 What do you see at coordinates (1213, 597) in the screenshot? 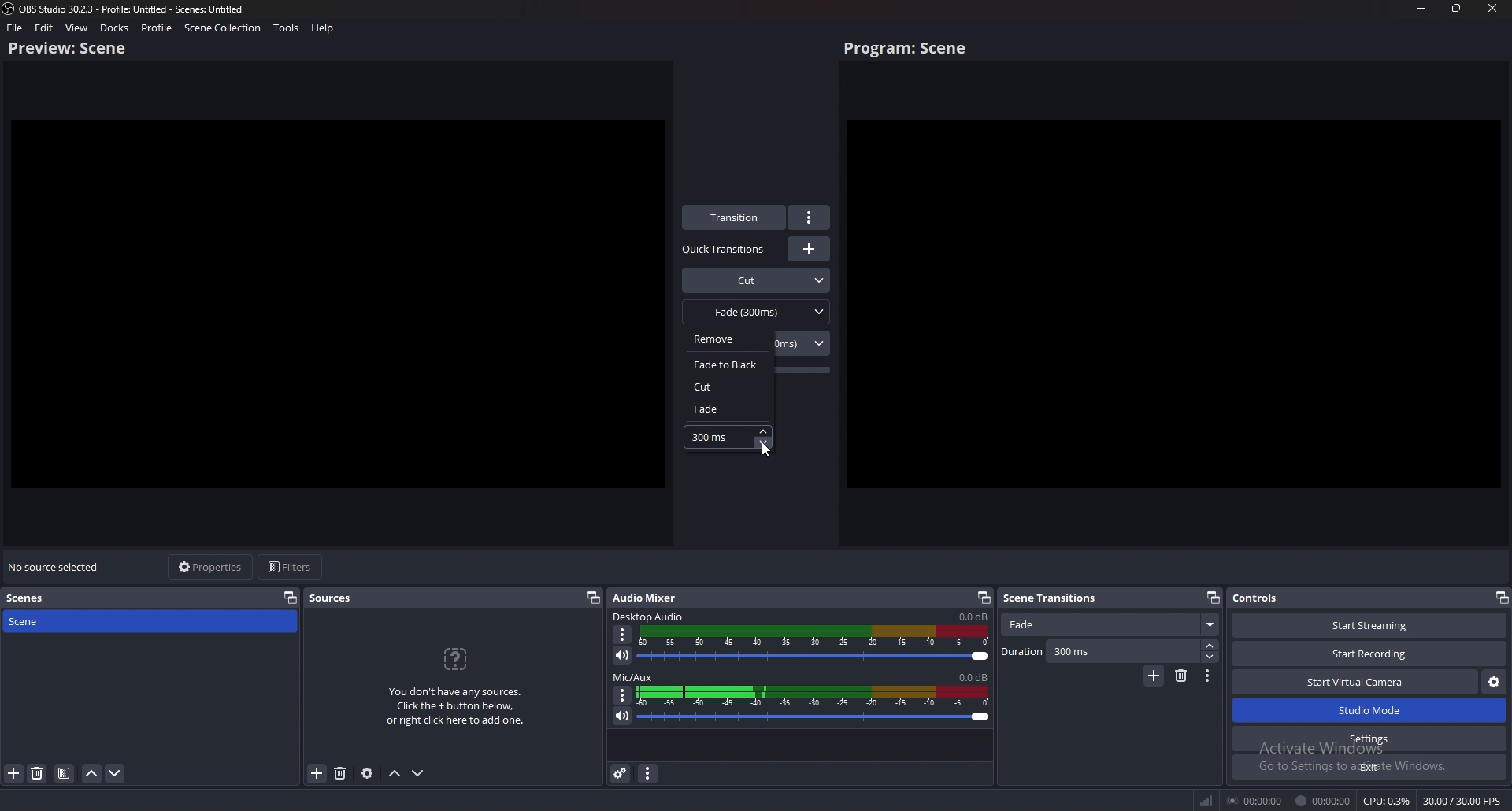
I see `Pop out` at bounding box center [1213, 597].